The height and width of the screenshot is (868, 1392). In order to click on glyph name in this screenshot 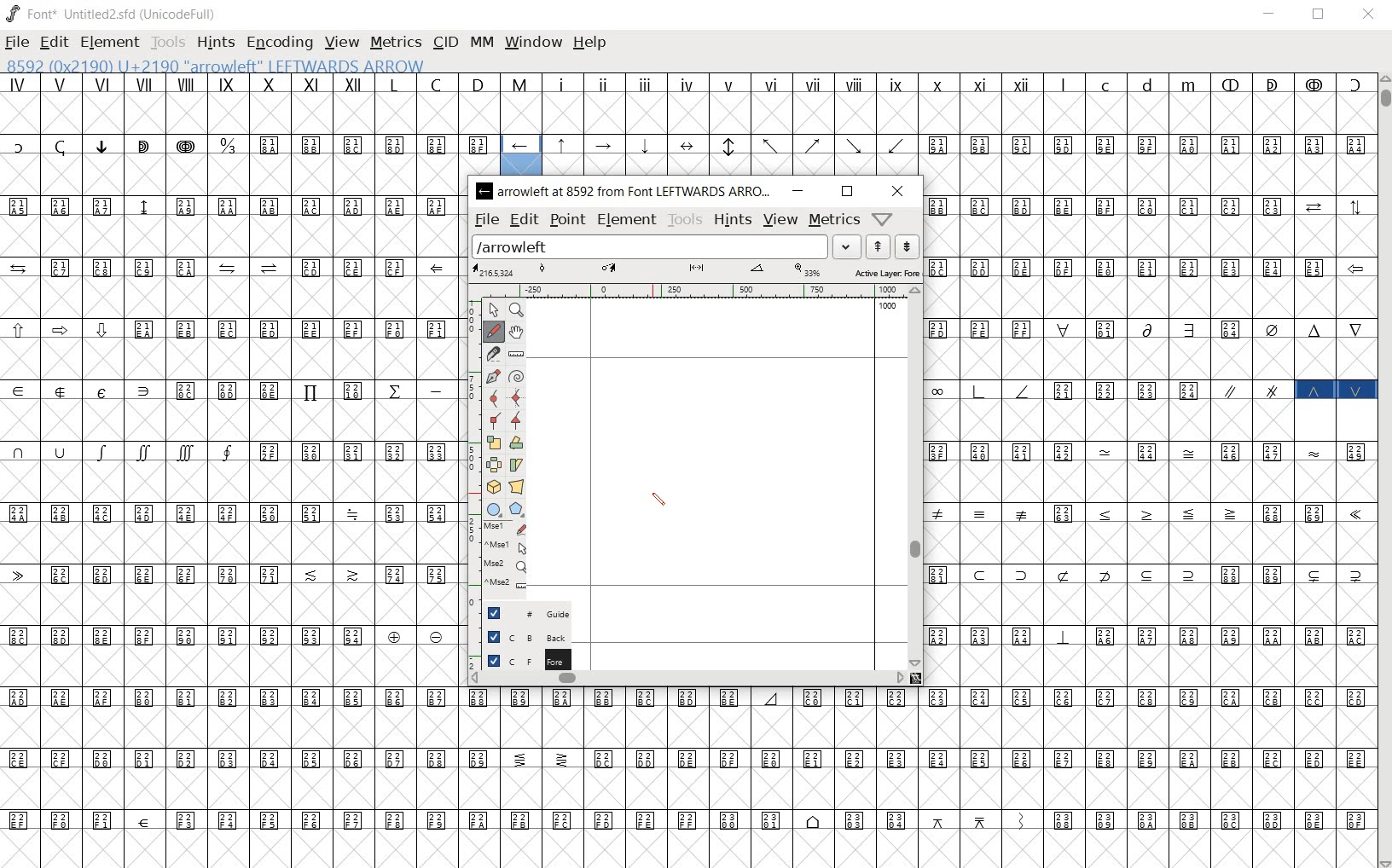, I will do `click(230, 65)`.